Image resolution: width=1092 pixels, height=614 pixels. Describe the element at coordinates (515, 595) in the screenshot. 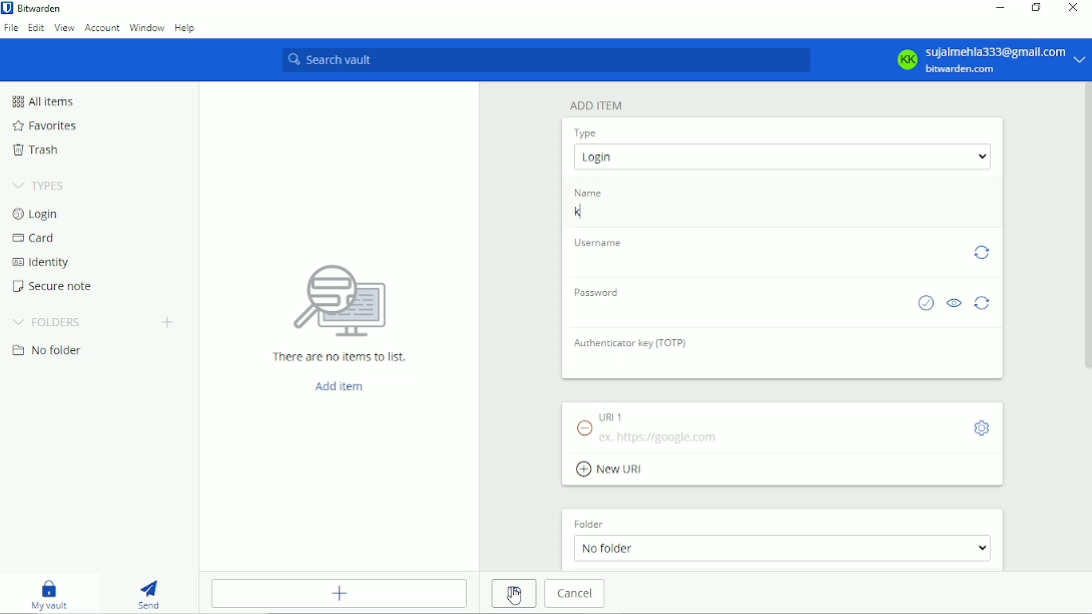

I see `Cursor` at that location.